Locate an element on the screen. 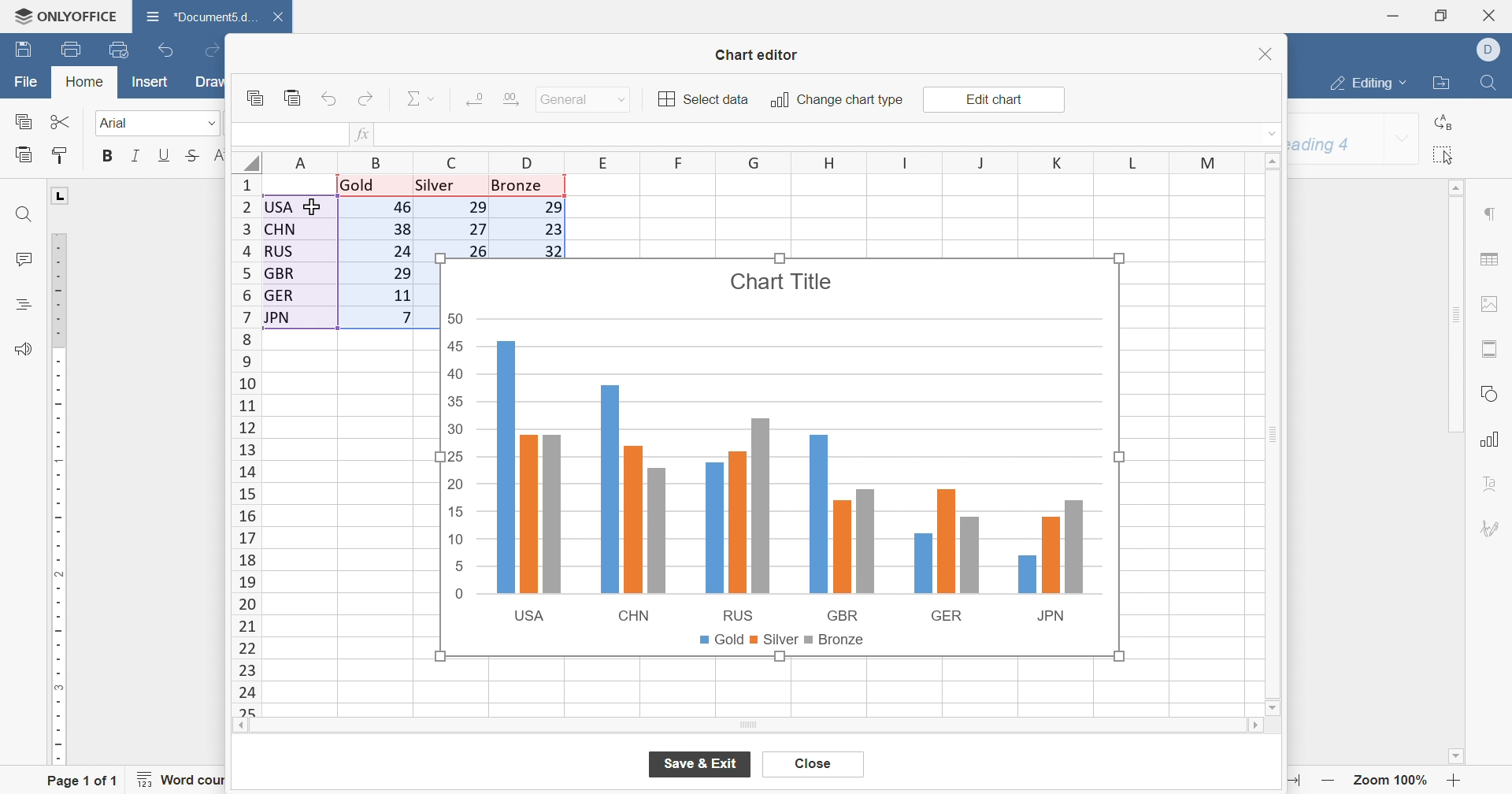 The image size is (1512, 794). chart editor is located at coordinates (757, 55).